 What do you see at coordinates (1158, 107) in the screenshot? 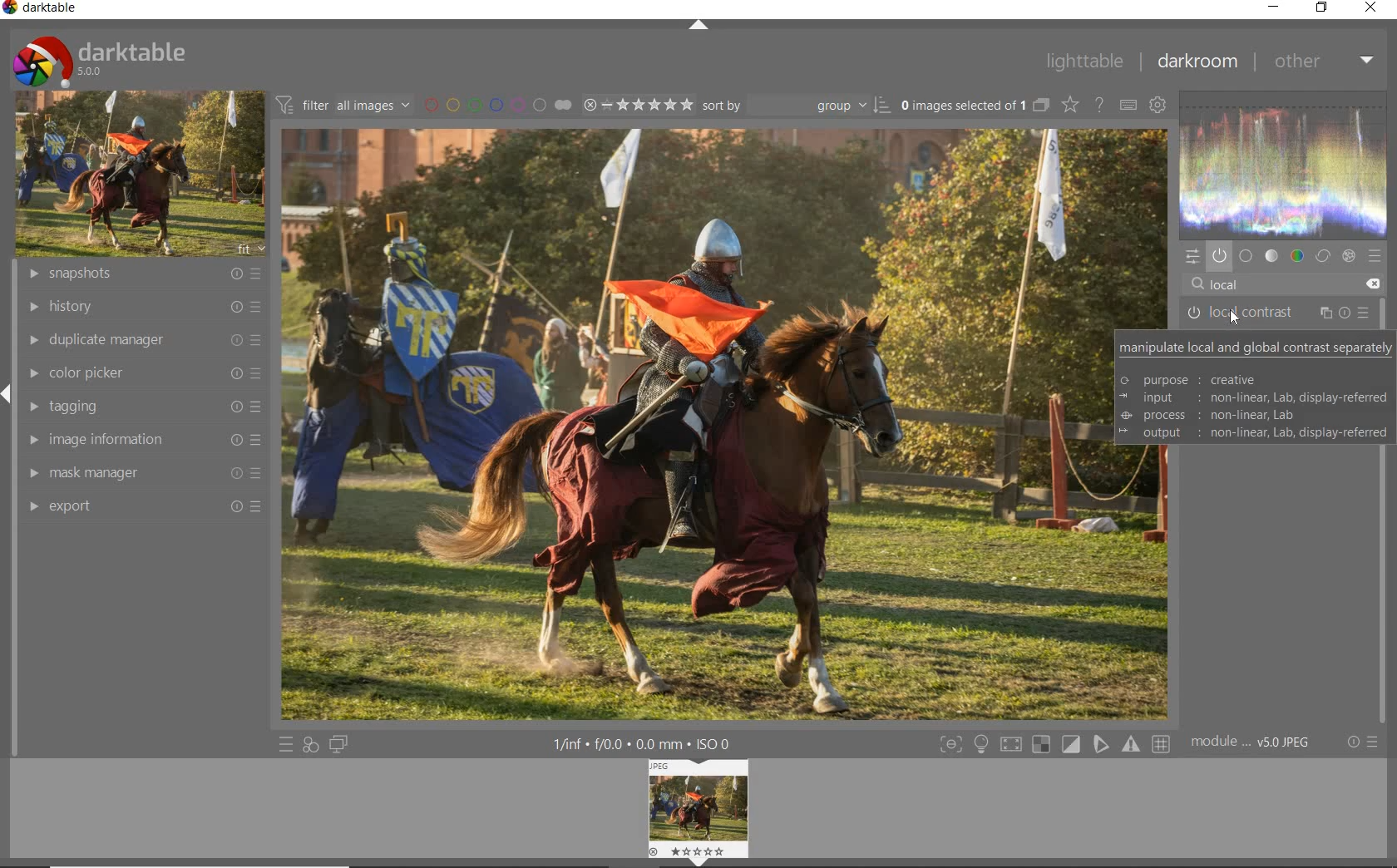
I see `show global preferences` at bounding box center [1158, 107].